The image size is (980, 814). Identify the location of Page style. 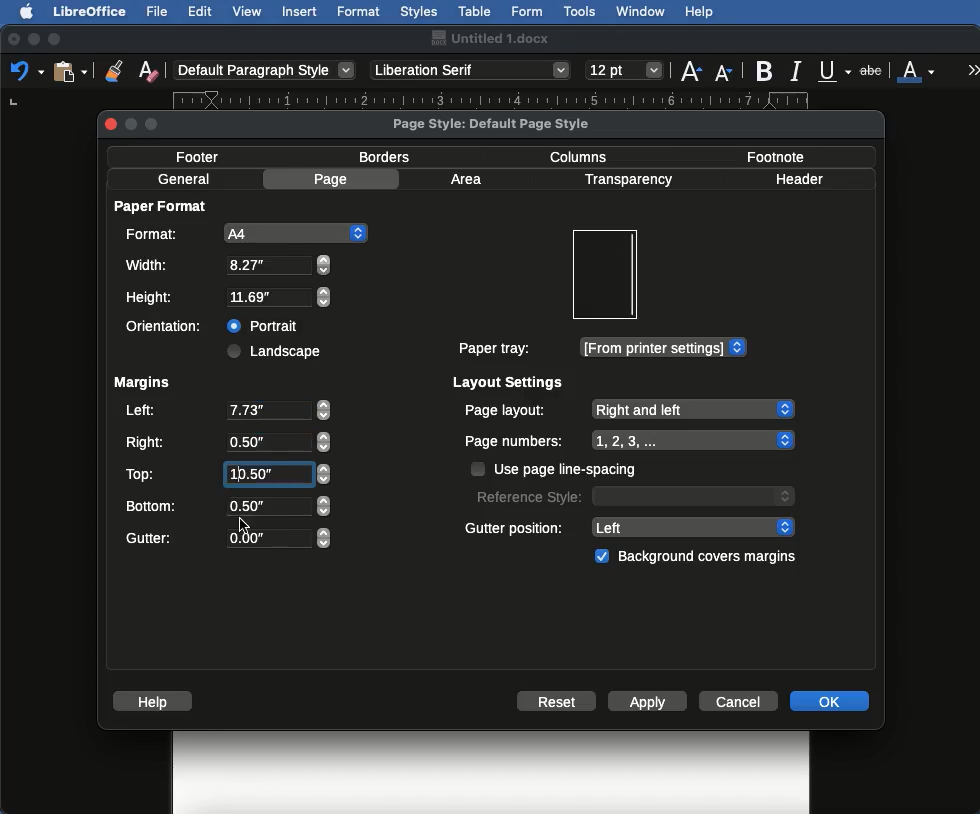
(508, 123).